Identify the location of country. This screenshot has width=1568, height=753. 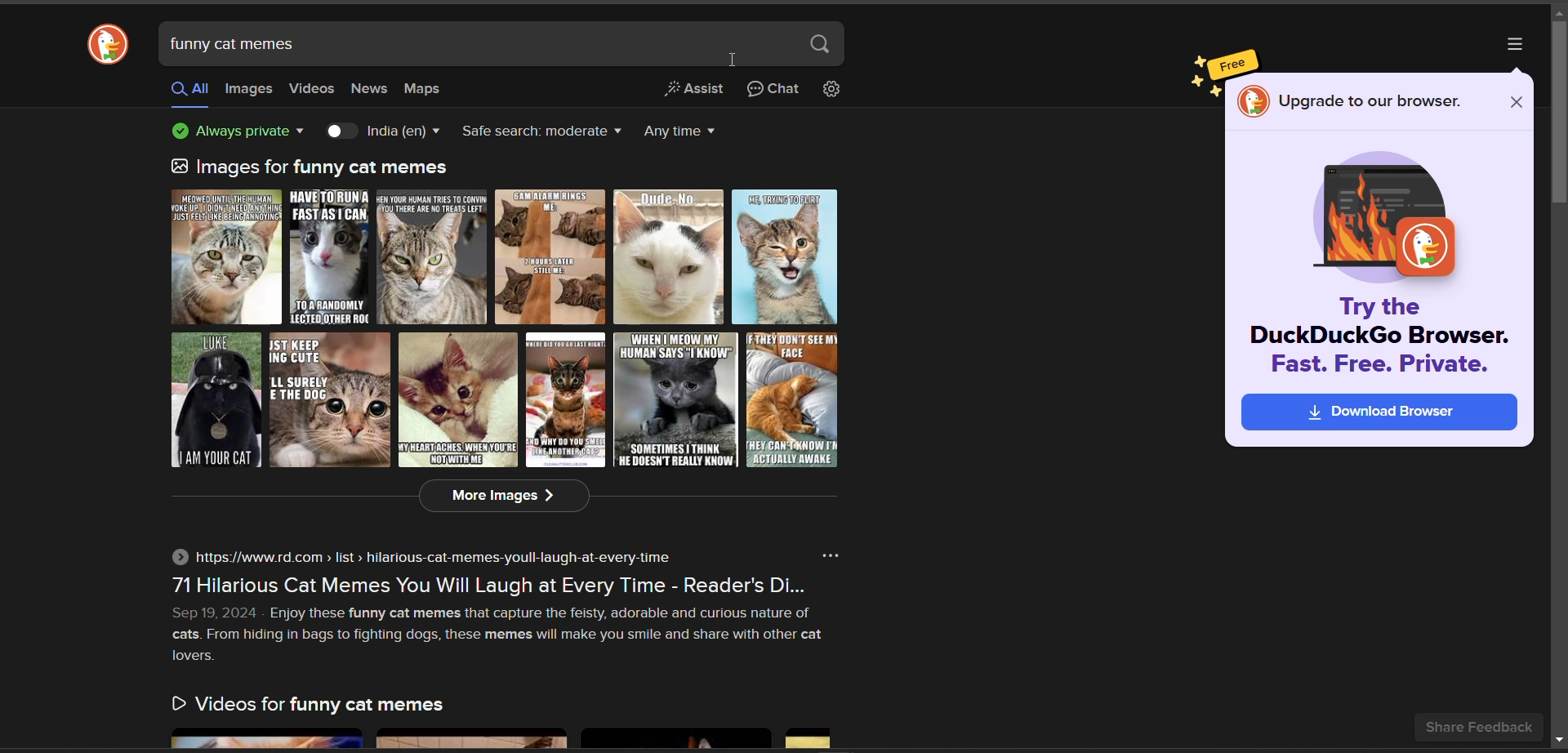
(405, 132).